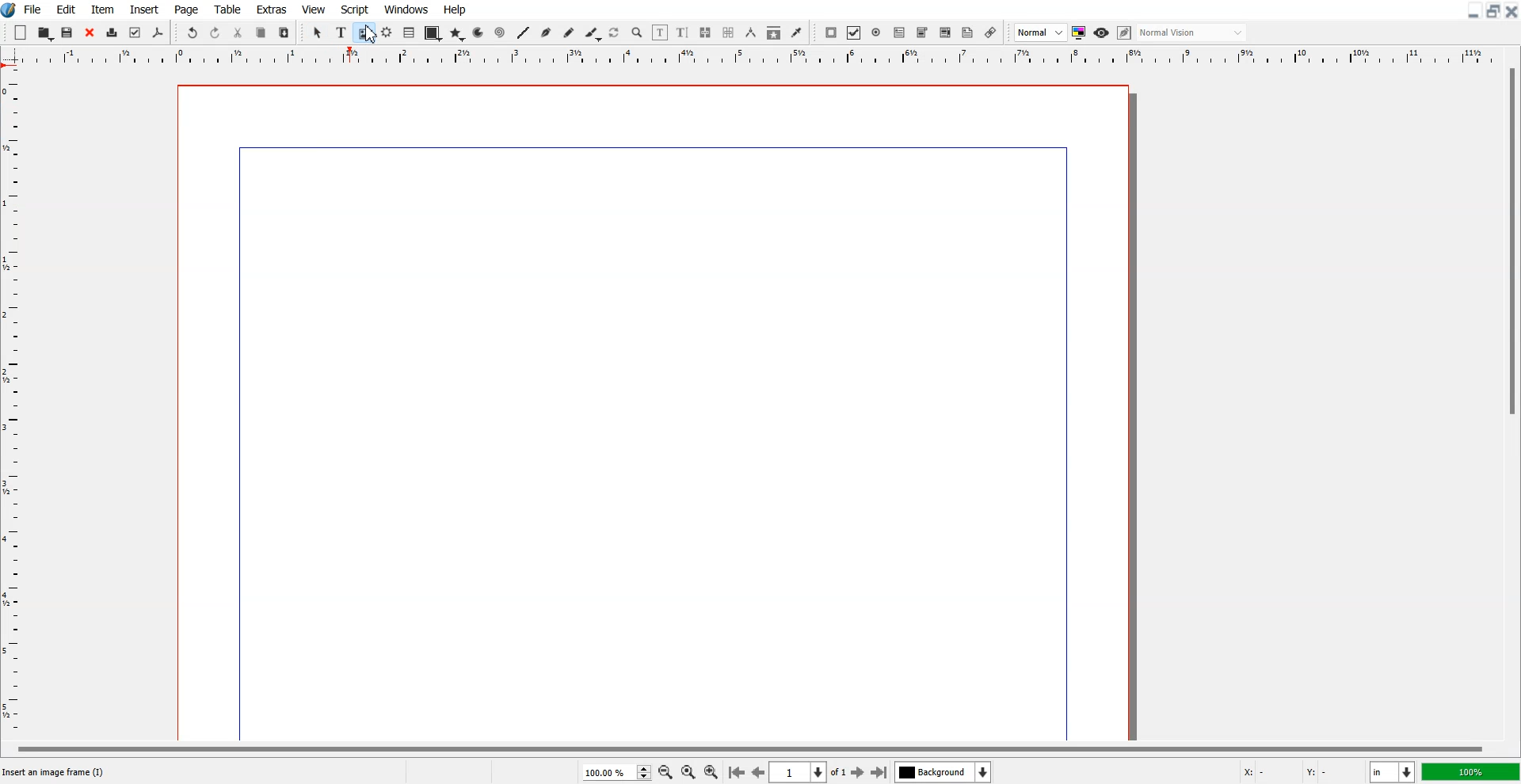  Describe the element at coordinates (810, 772) in the screenshot. I see `Select current page 1` at that location.